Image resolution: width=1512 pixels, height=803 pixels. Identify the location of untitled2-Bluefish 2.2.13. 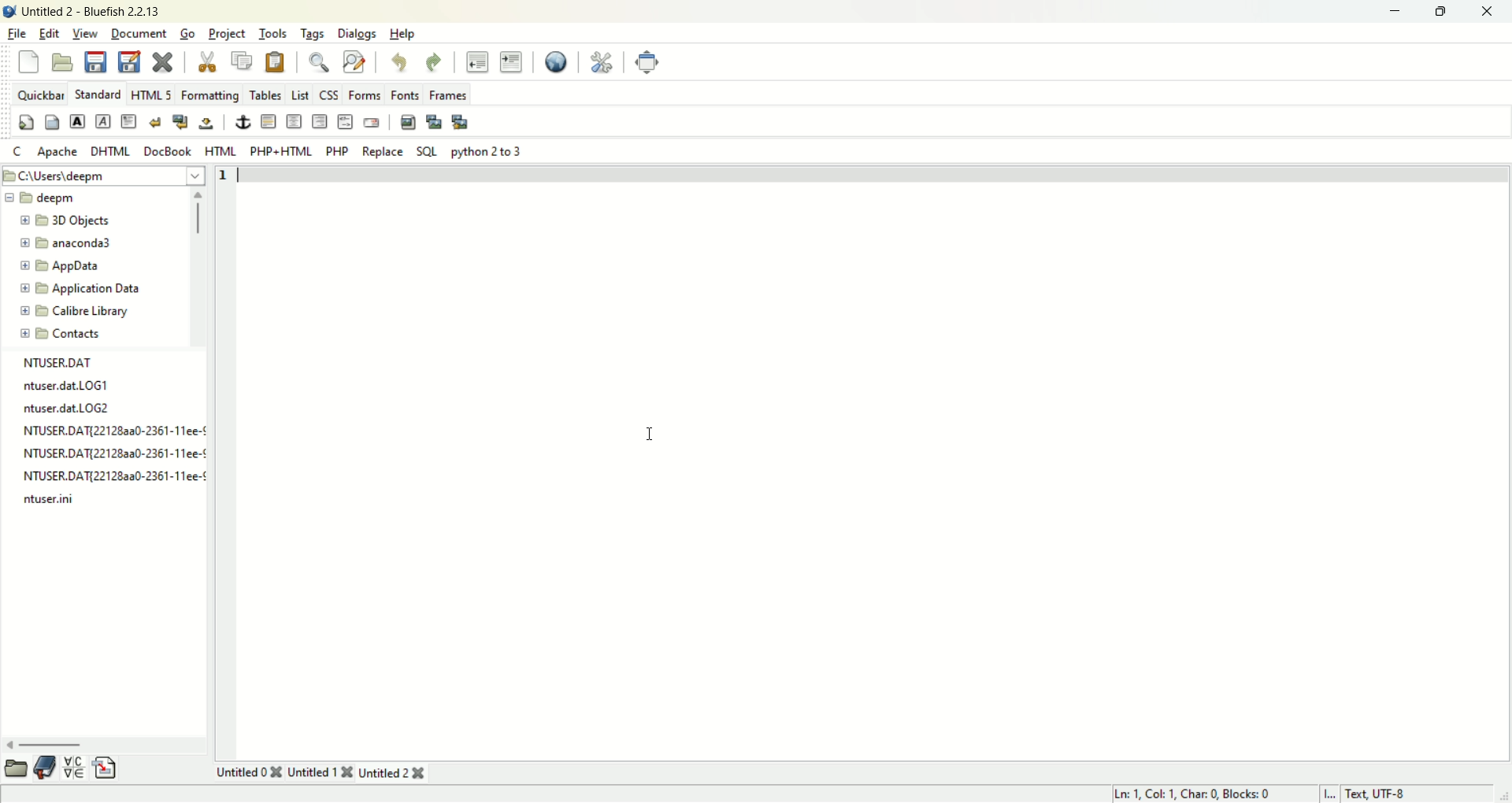
(91, 9).